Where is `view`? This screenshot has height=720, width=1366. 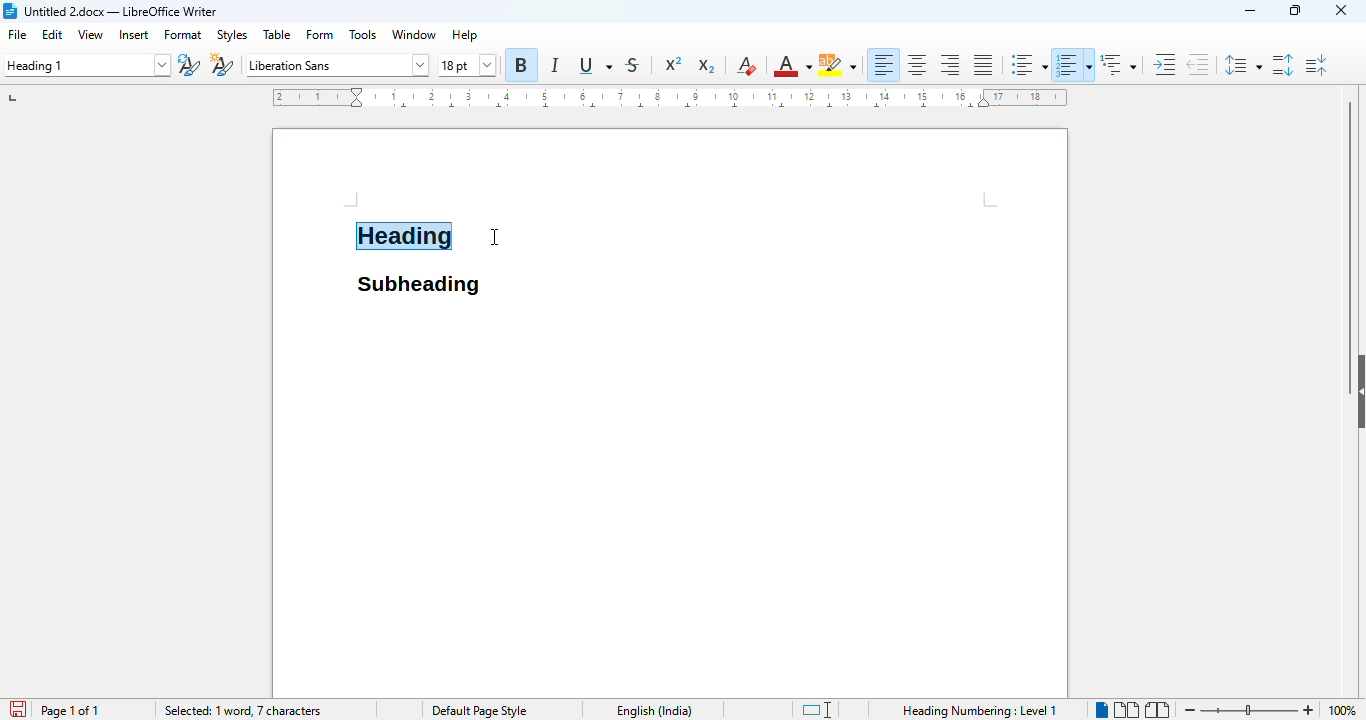
view is located at coordinates (91, 34).